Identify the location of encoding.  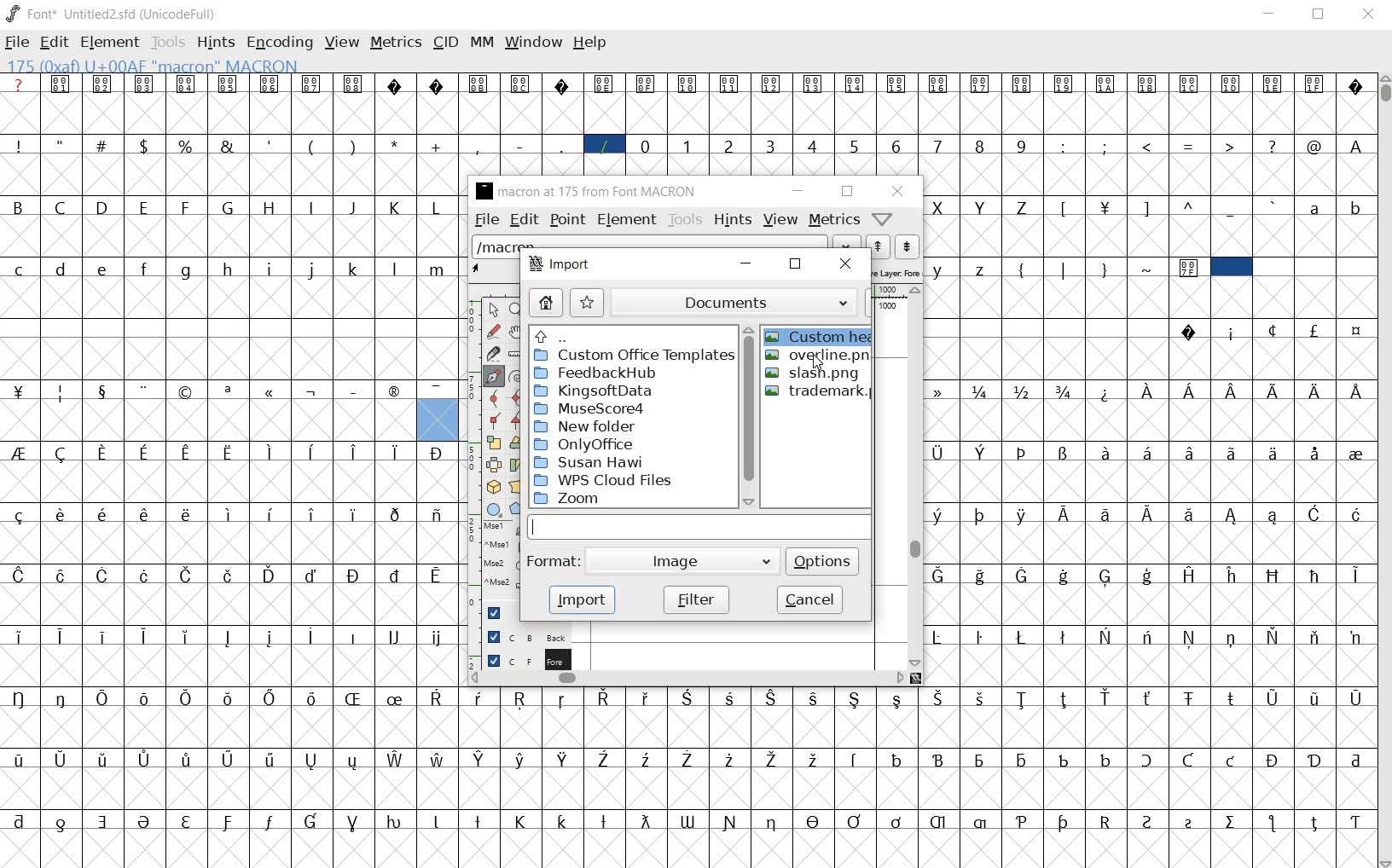
(279, 43).